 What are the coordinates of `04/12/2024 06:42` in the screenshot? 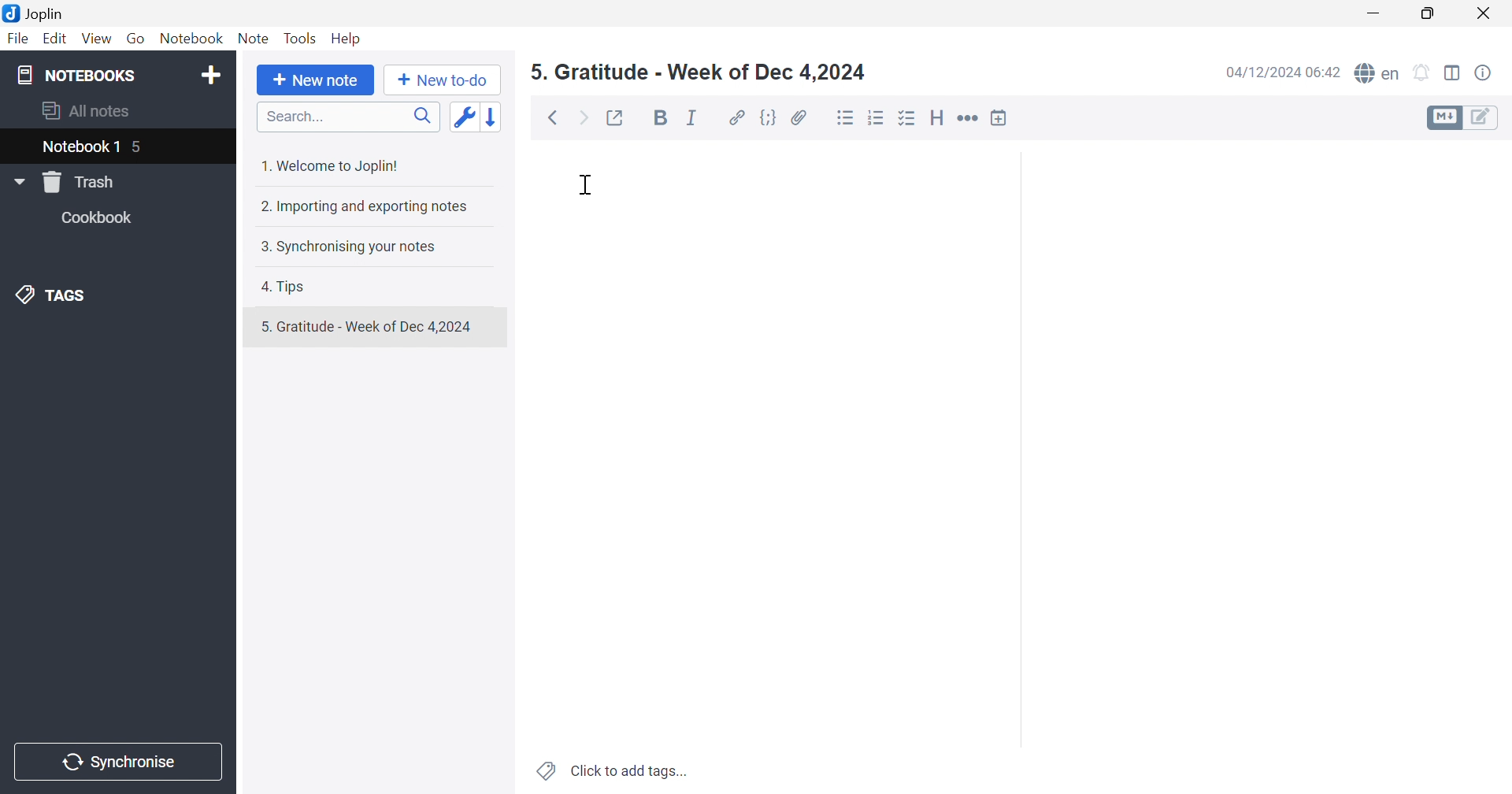 It's located at (1279, 75).